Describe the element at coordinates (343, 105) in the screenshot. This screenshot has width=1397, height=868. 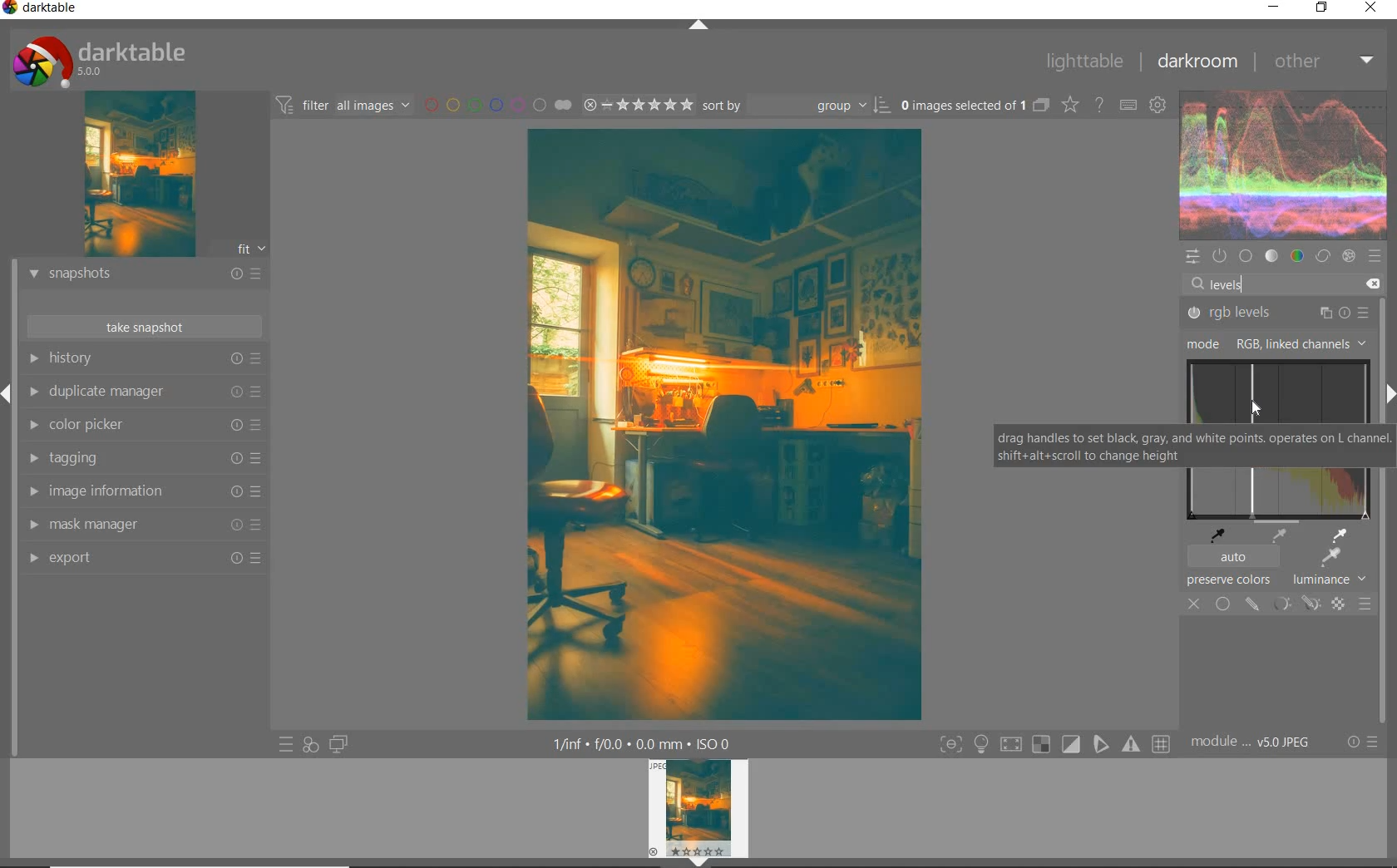
I see `filter images based on their modules` at that location.